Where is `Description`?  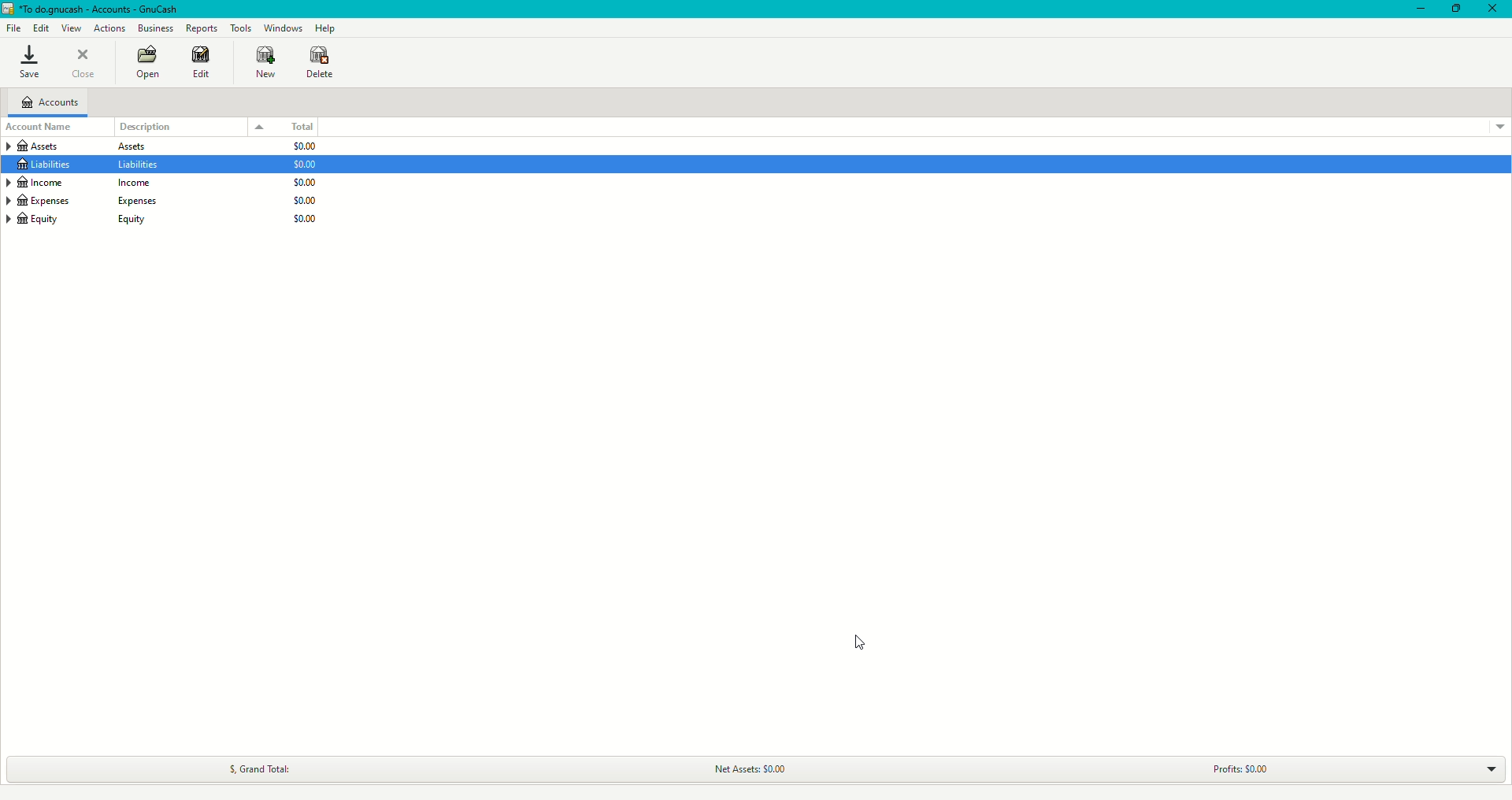
Description is located at coordinates (192, 127).